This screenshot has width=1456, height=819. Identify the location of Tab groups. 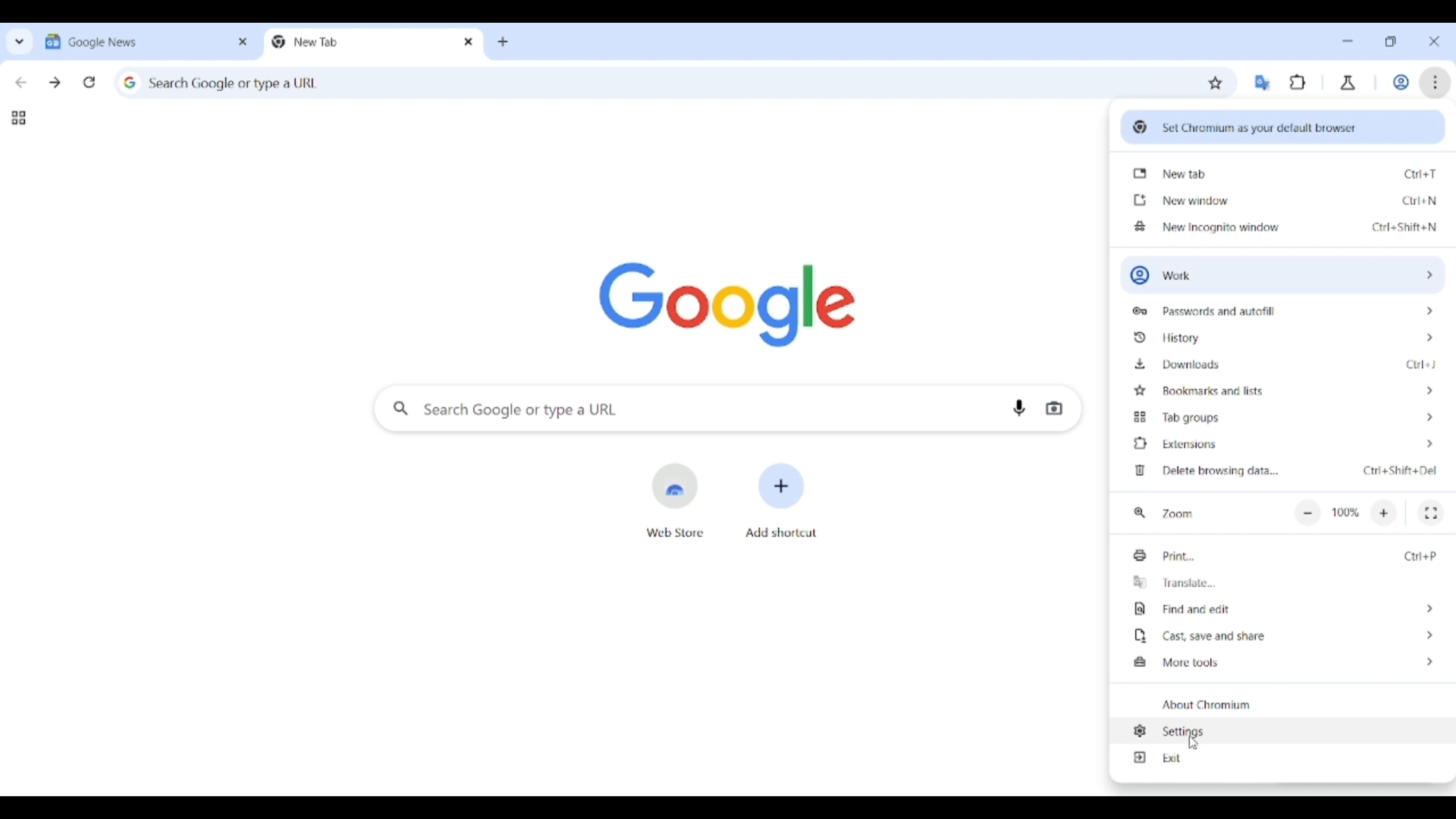
(18, 118).